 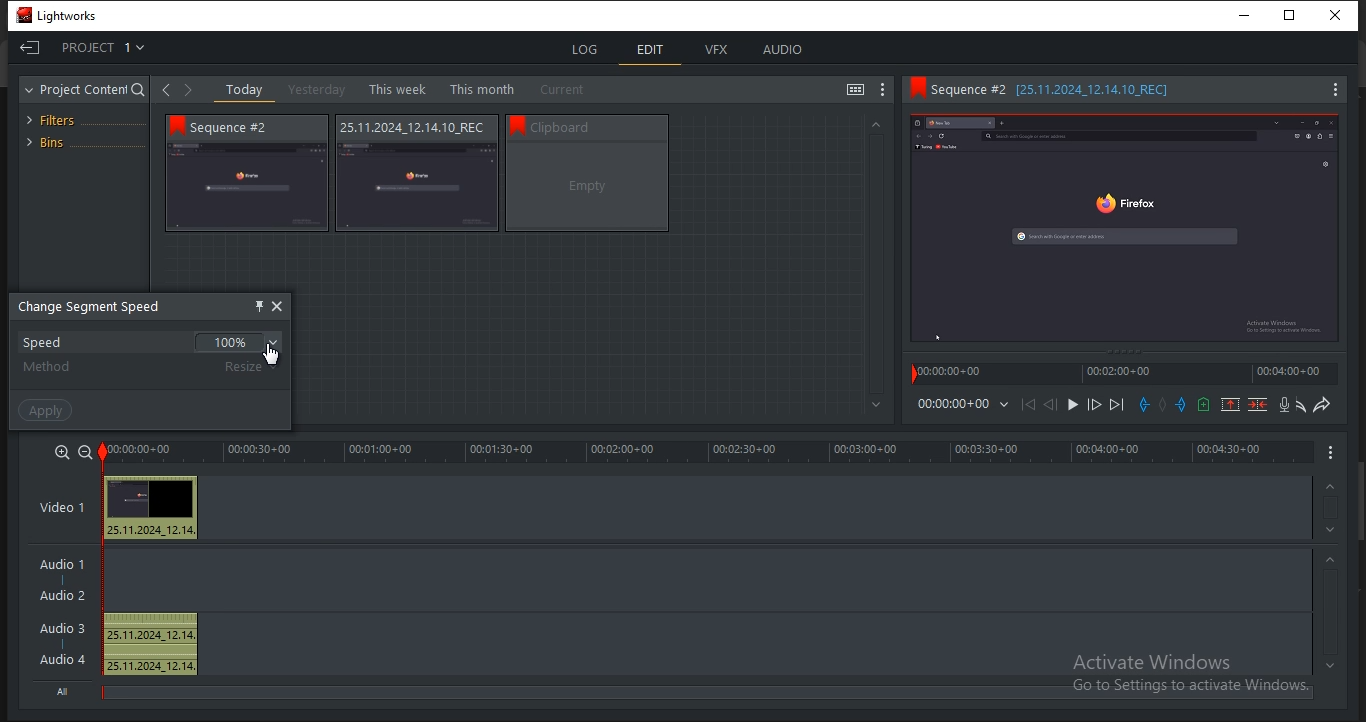 I want to click on Nudge one frame back, so click(x=1051, y=405).